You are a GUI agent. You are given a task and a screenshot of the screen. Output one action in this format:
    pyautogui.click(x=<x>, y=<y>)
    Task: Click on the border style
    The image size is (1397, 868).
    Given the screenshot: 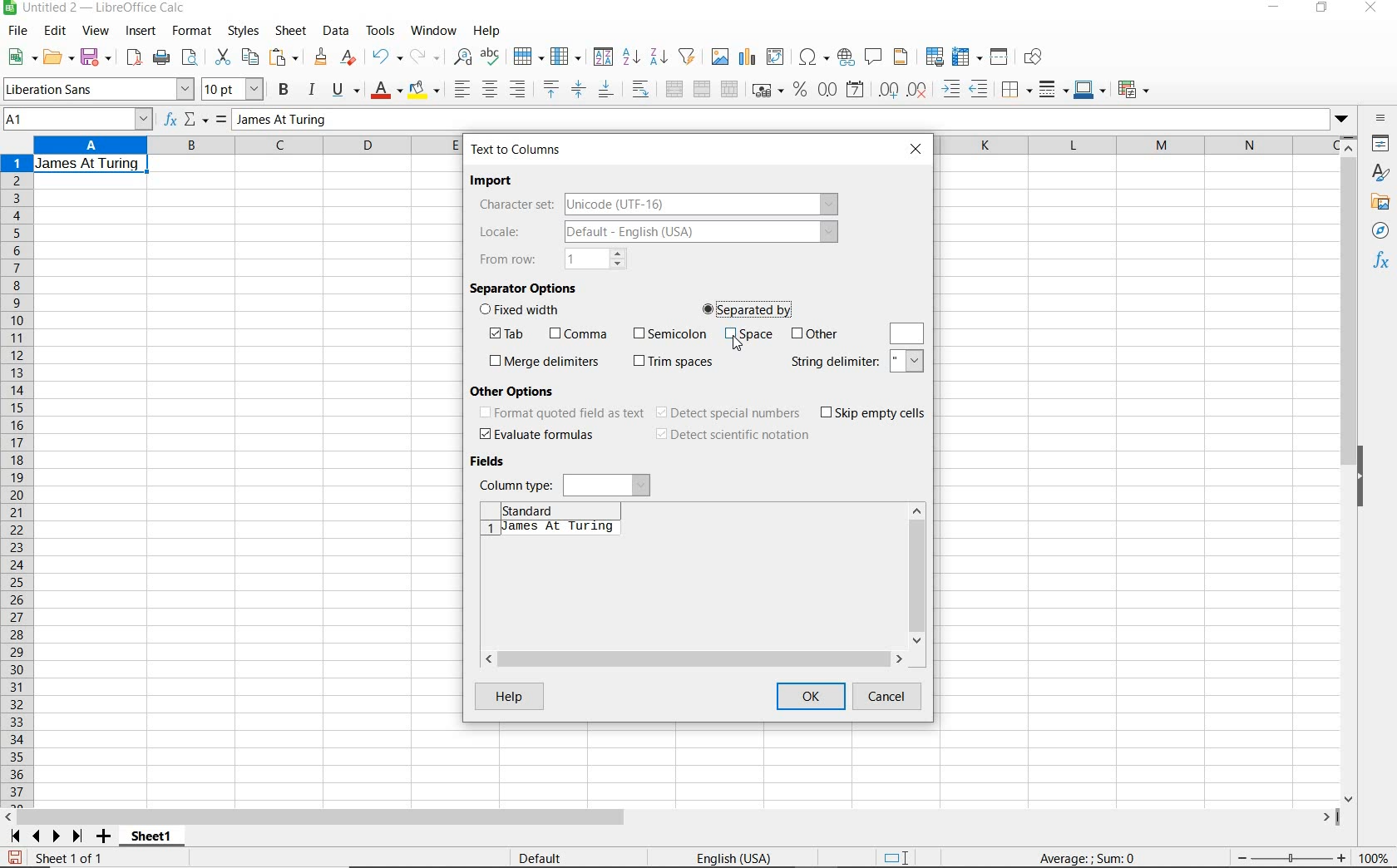 What is the action you would take?
    pyautogui.click(x=1054, y=89)
    